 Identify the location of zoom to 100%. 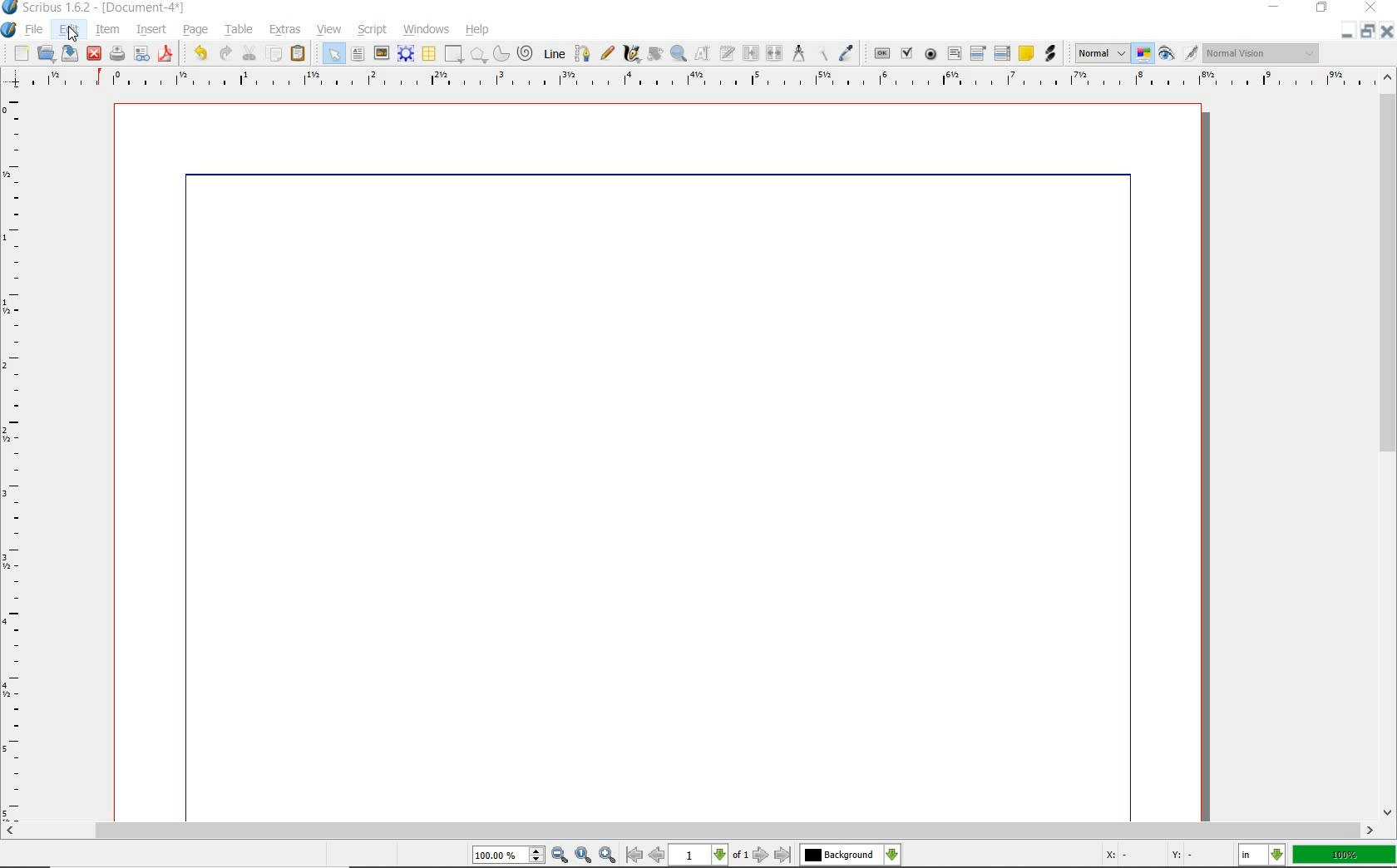
(585, 856).